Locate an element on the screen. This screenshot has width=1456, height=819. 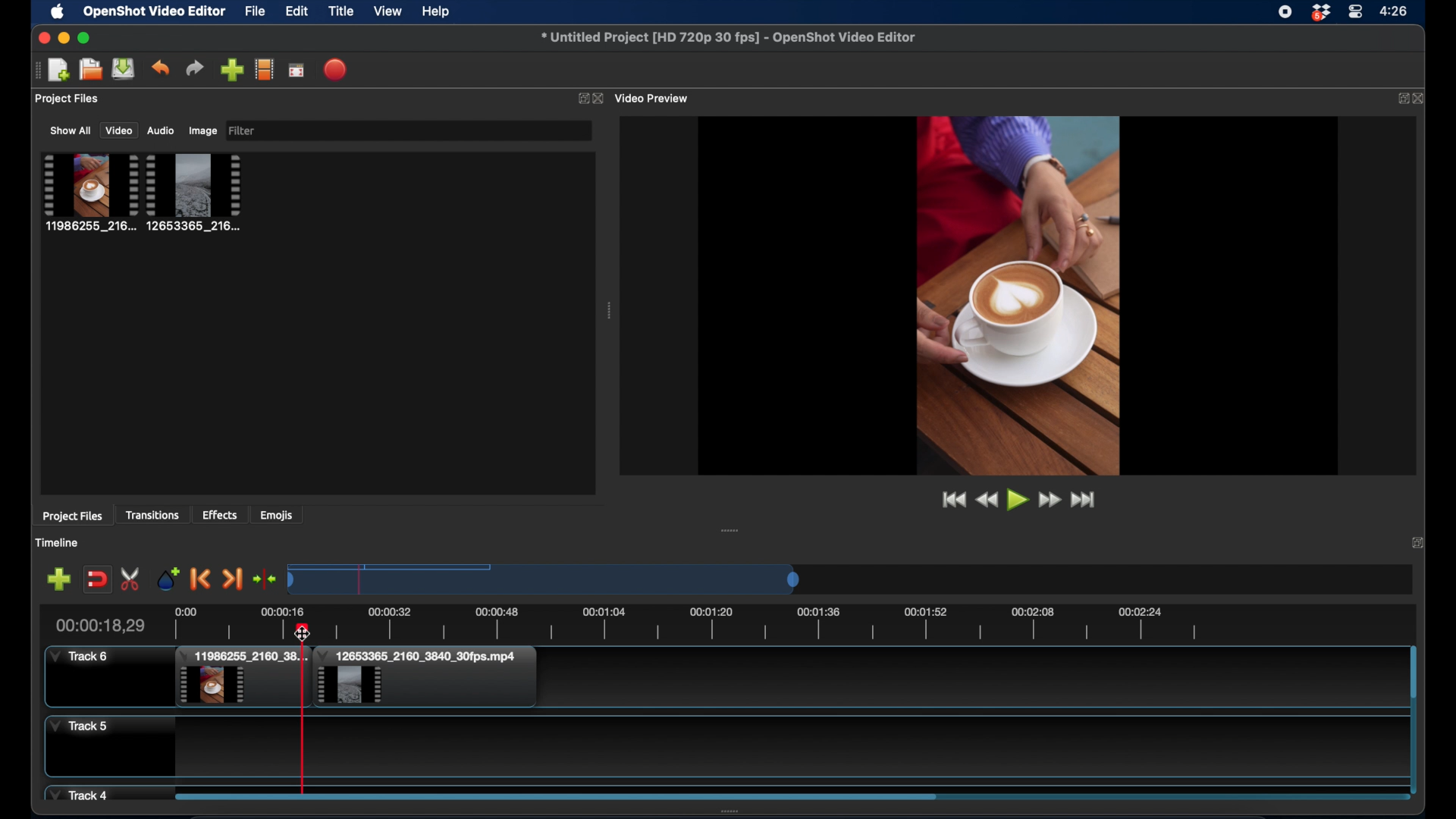
video preview is located at coordinates (1018, 294).